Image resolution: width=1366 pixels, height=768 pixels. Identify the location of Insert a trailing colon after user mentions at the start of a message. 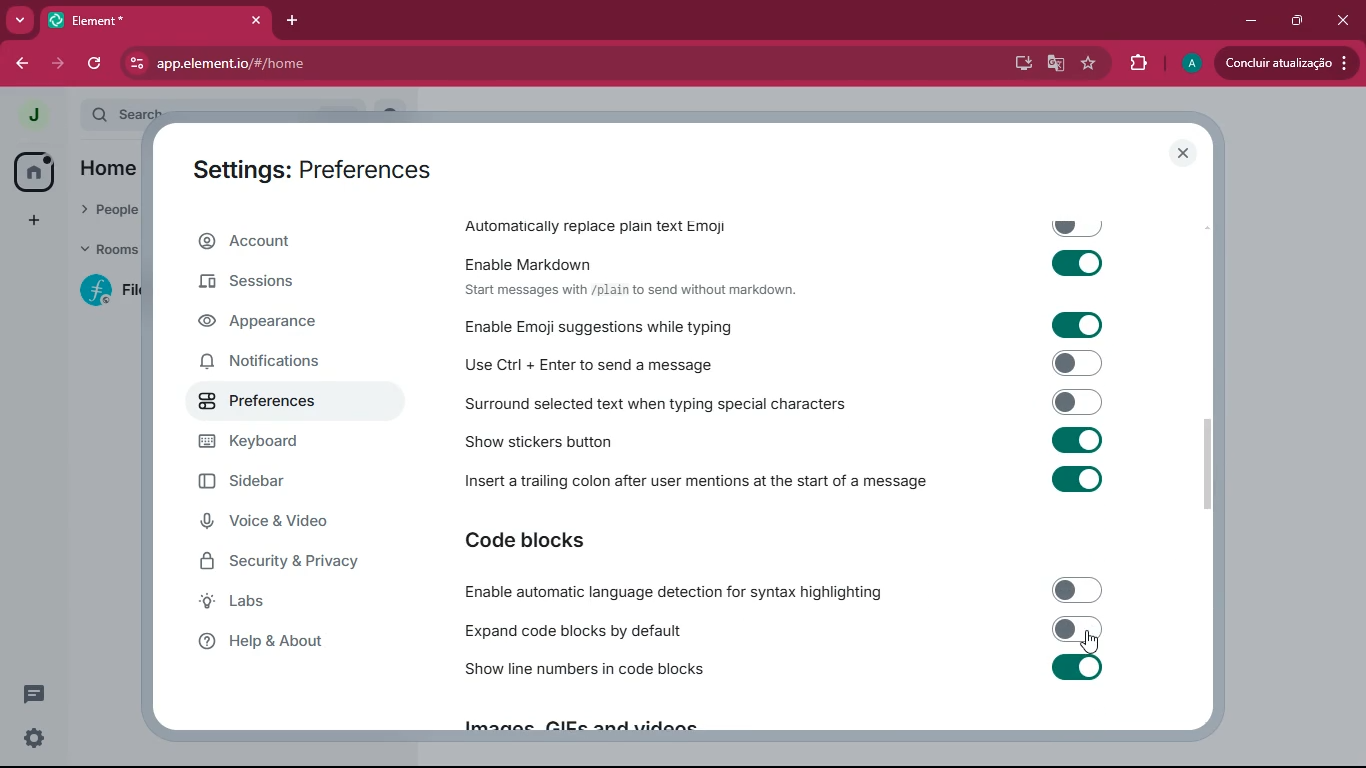
(790, 485).